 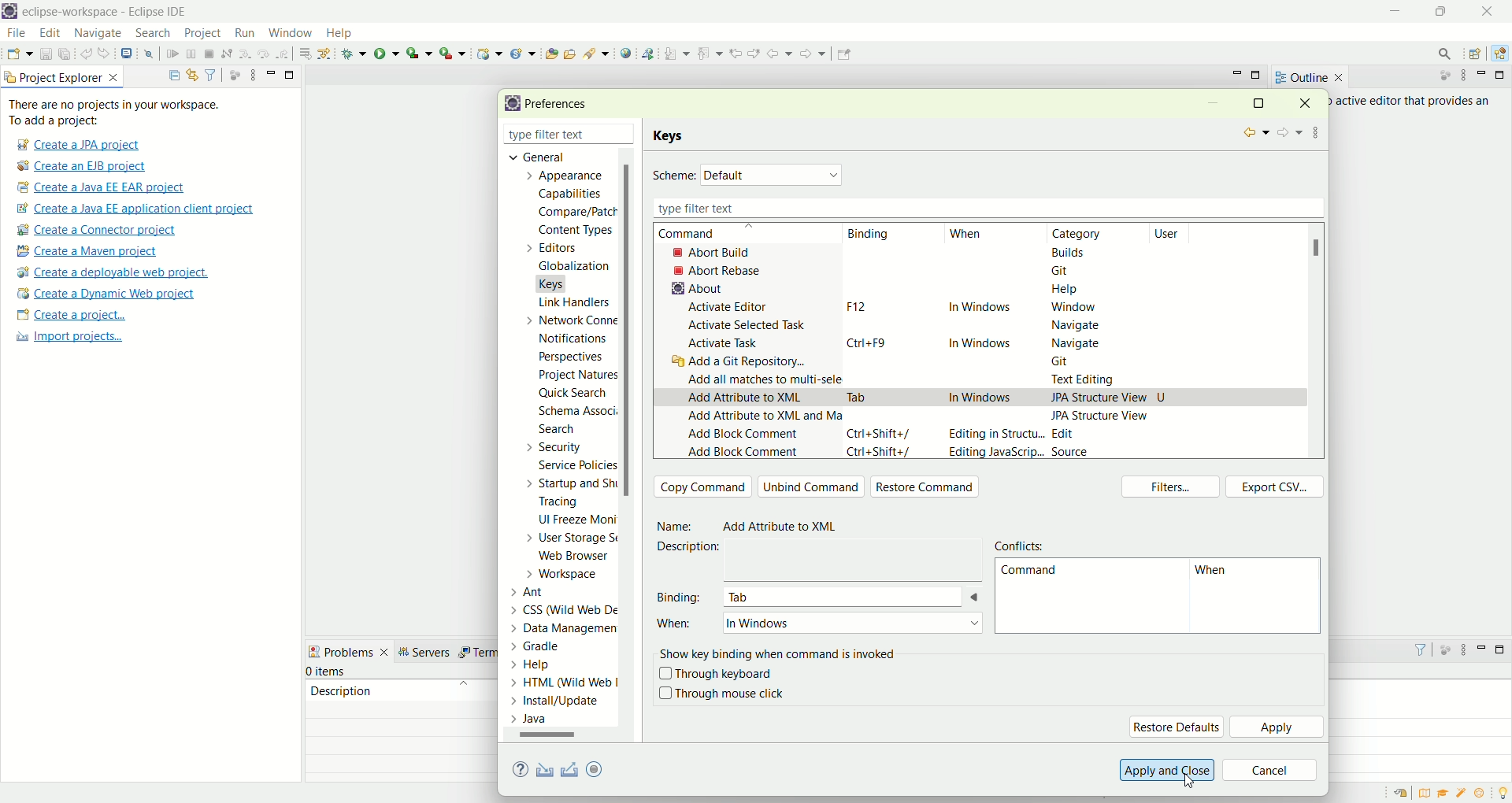 I want to click on project natures, so click(x=575, y=378).